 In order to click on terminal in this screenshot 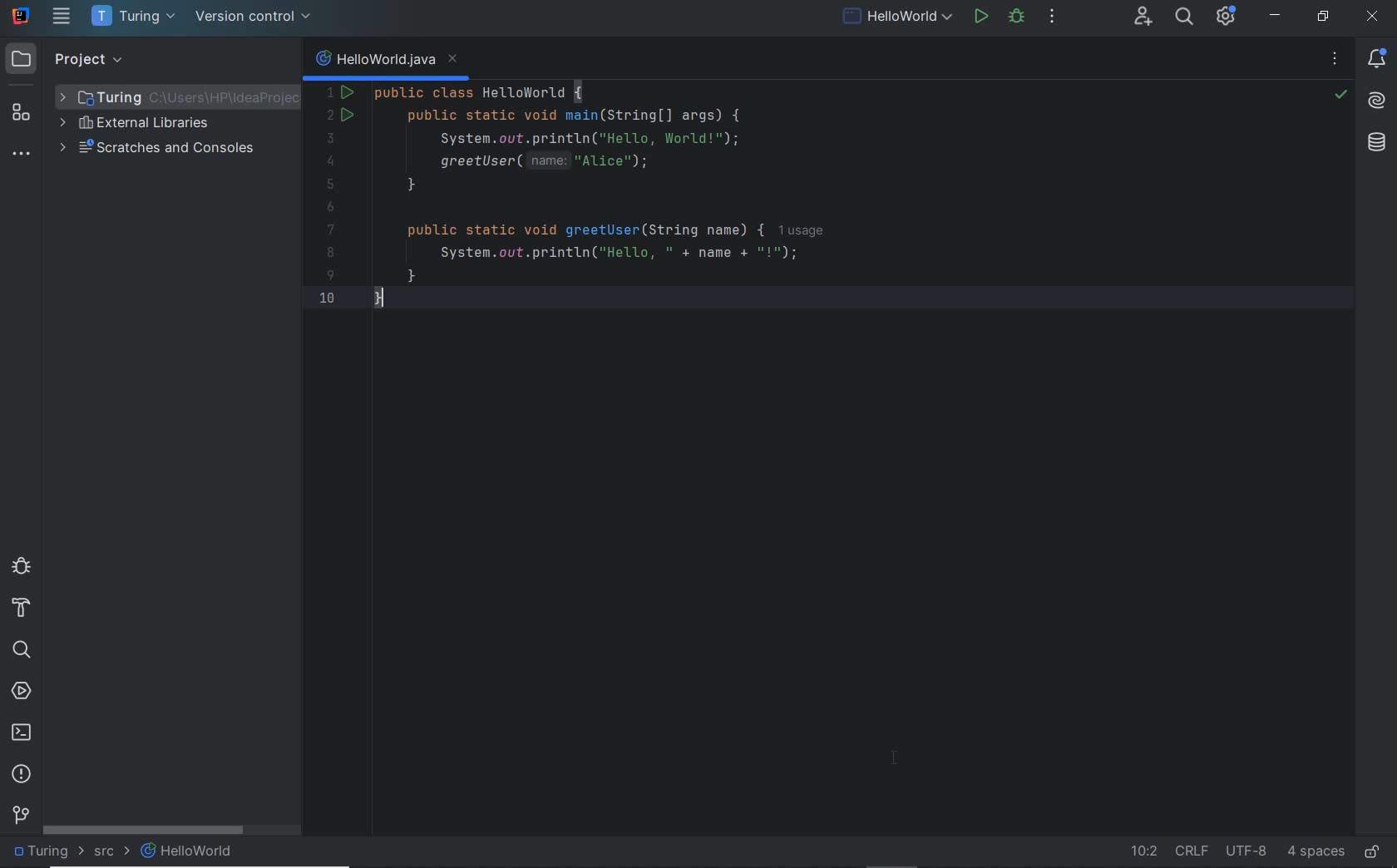, I will do `click(22, 732)`.